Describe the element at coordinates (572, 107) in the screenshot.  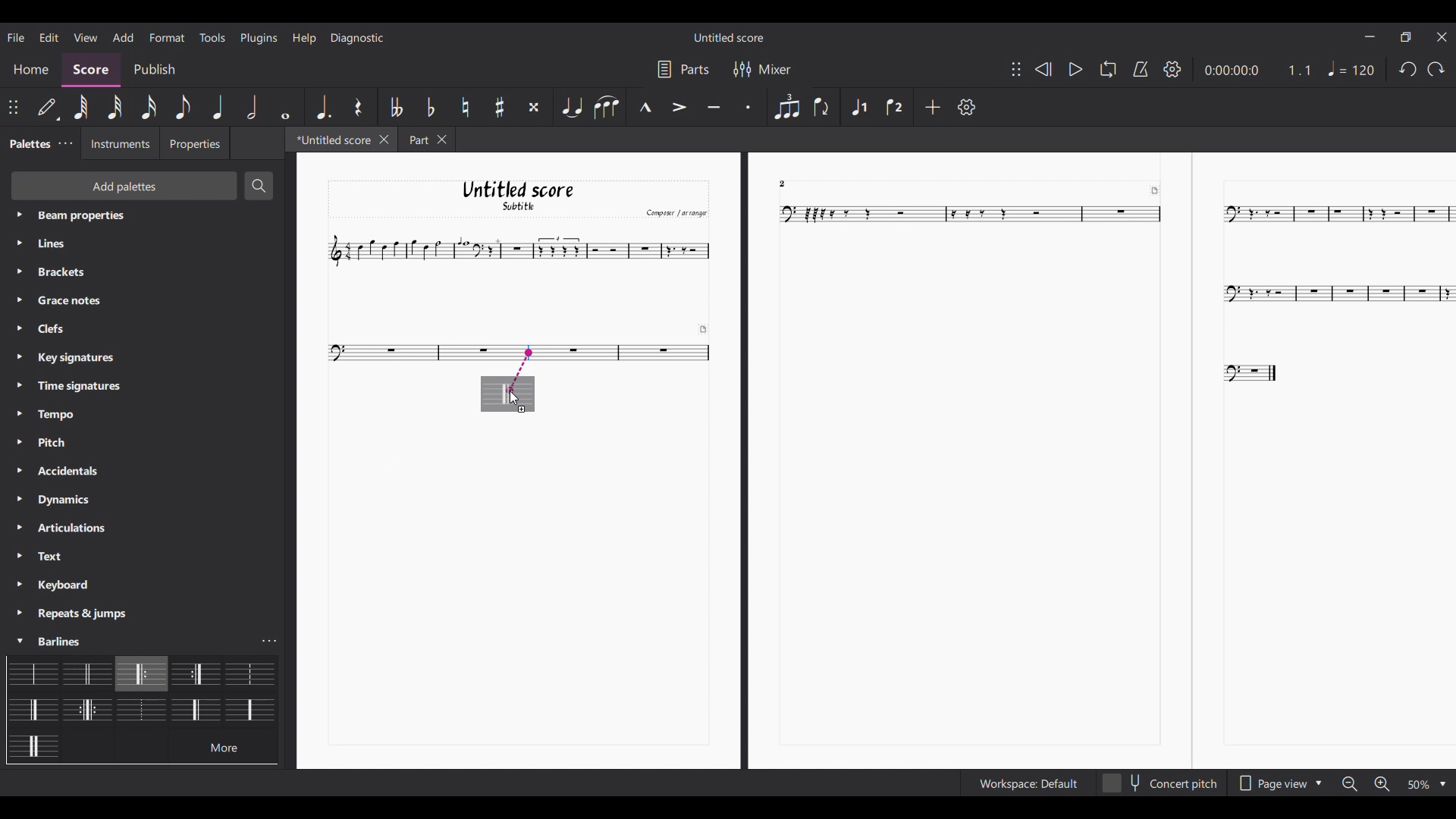
I see `Tie` at that location.